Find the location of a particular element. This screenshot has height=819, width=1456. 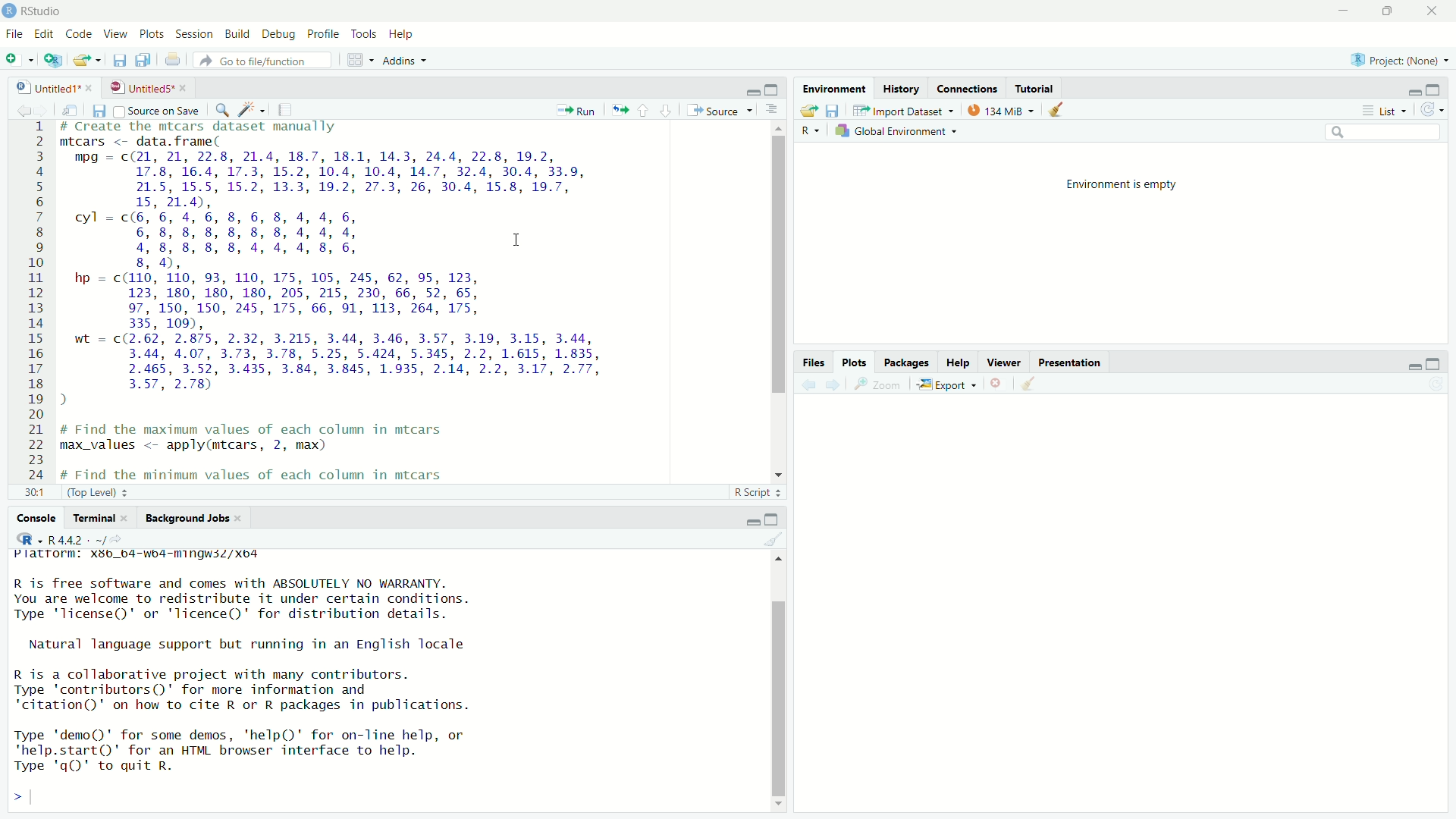

zoom is located at coordinates (878, 385).